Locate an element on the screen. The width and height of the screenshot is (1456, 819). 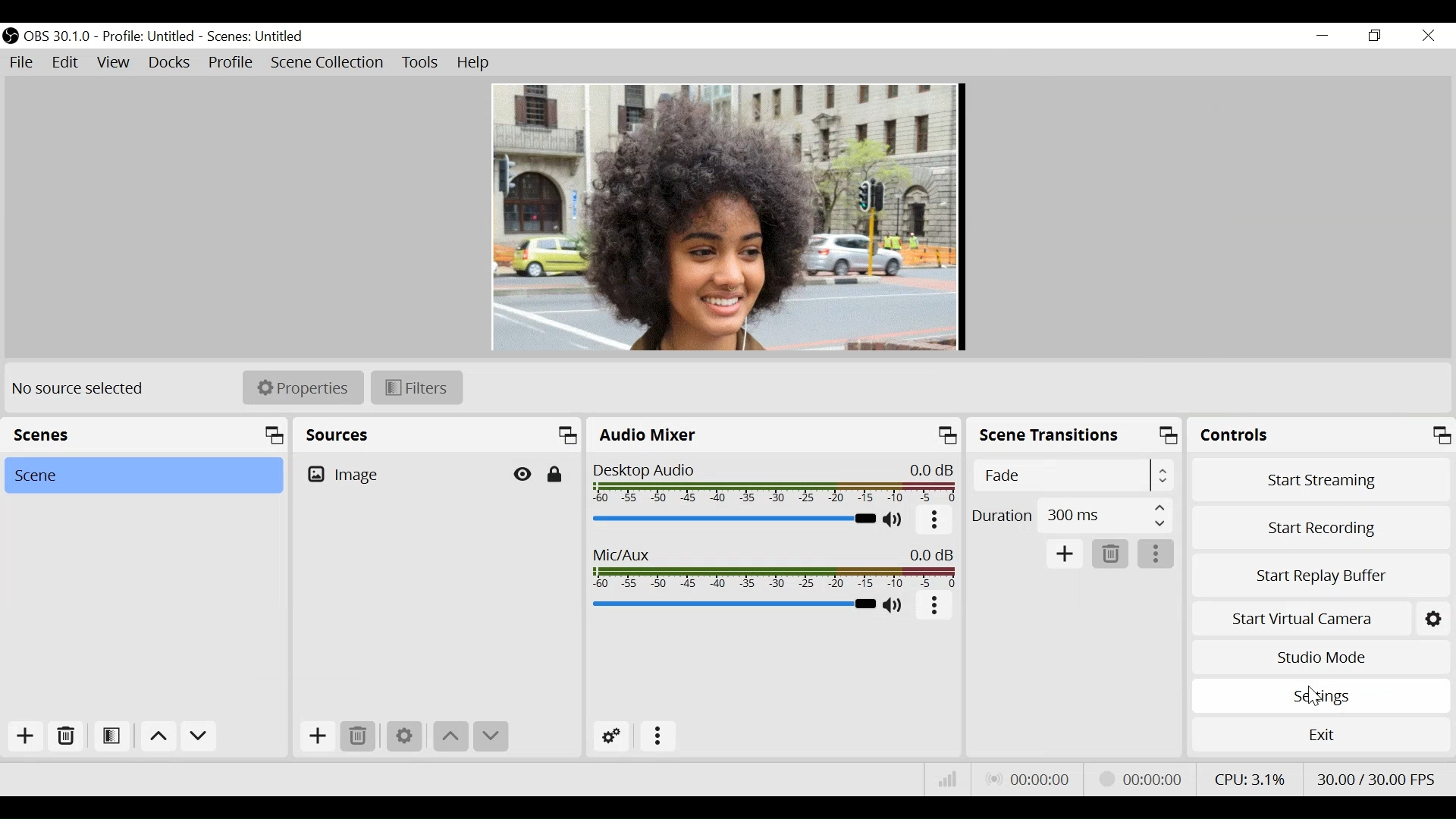
Desktop Audio is located at coordinates (774, 481).